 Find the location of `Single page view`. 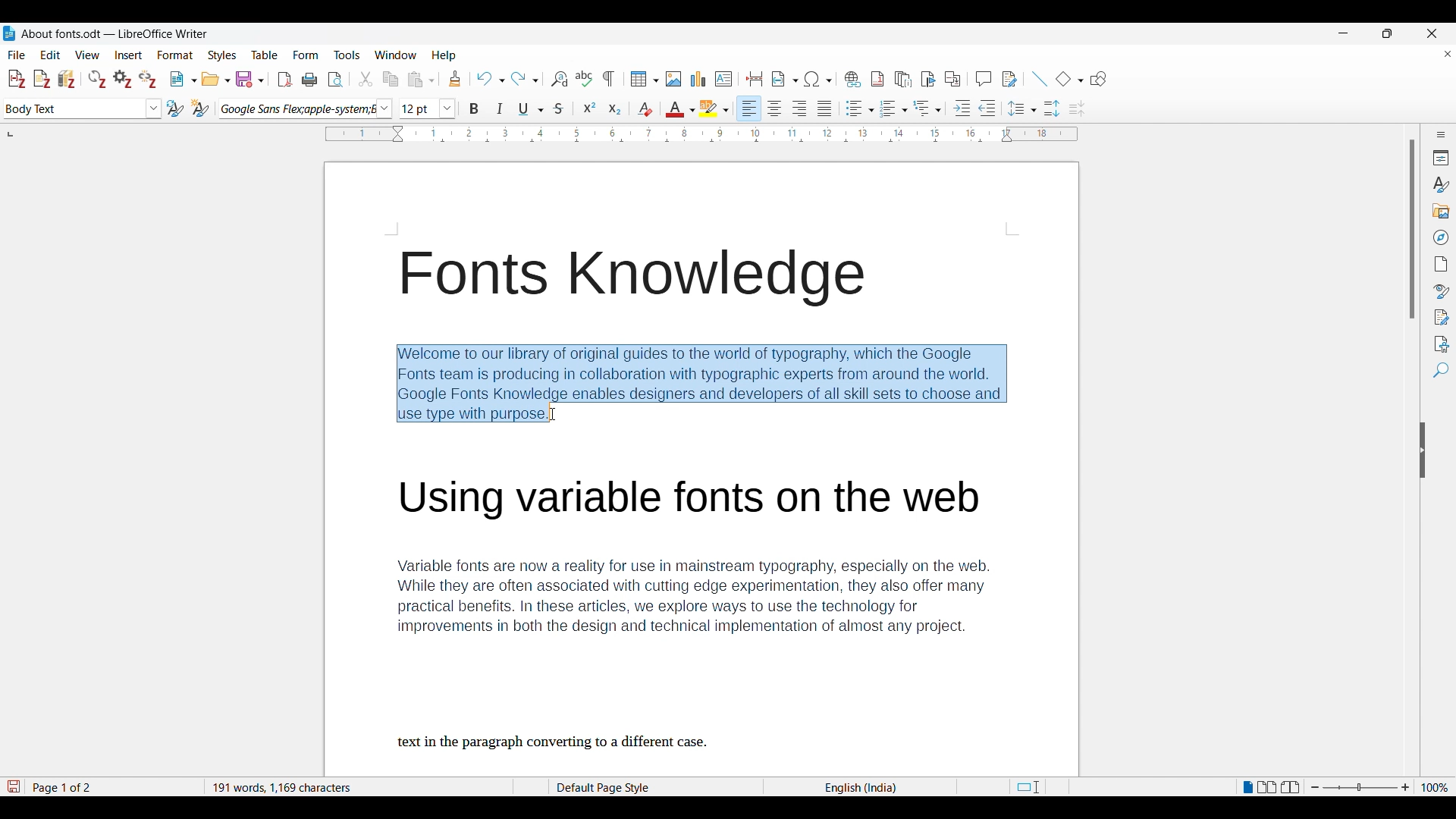

Single page view is located at coordinates (1247, 787).